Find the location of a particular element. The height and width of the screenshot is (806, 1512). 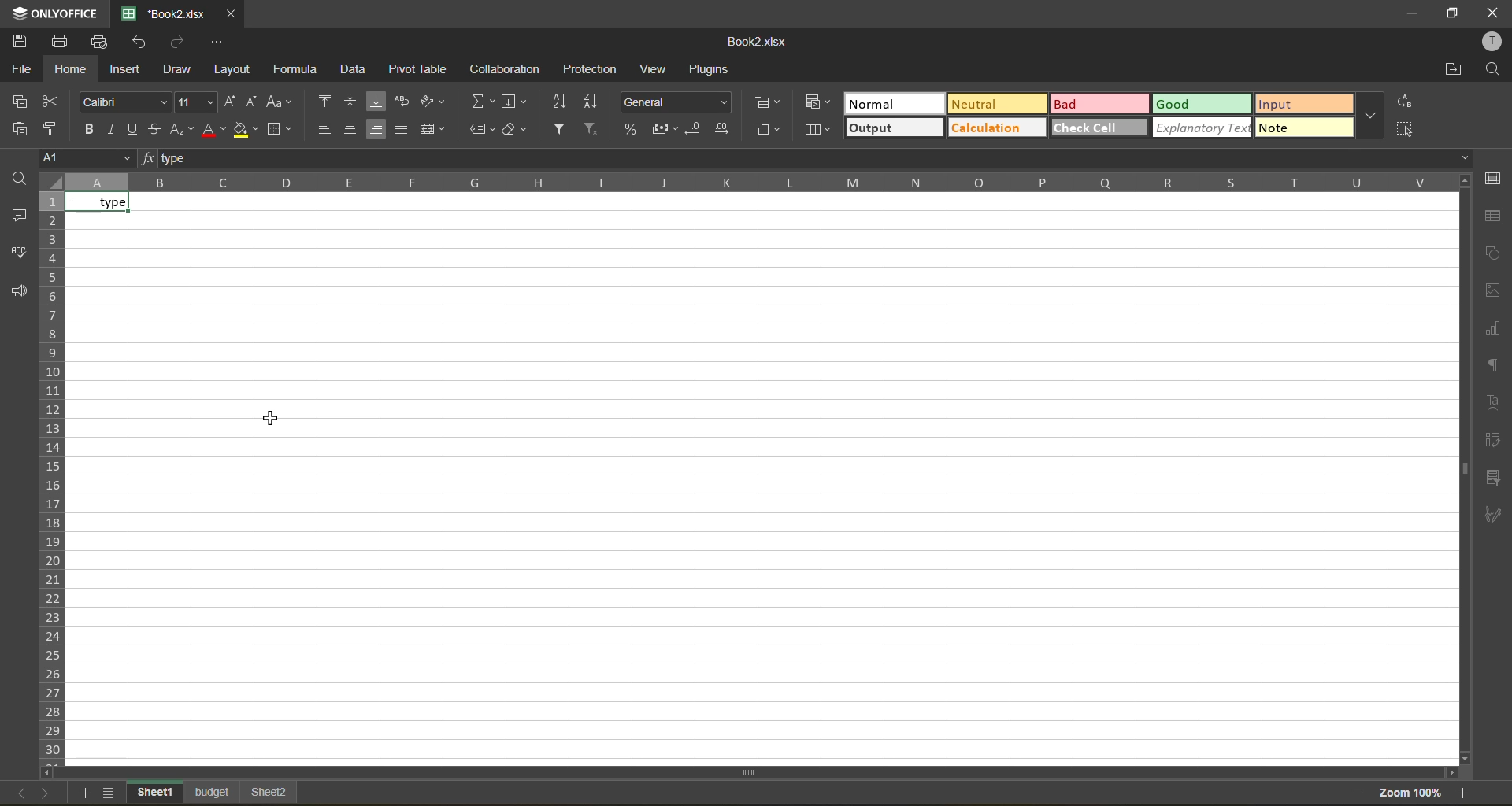

accounting is located at coordinates (667, 128).